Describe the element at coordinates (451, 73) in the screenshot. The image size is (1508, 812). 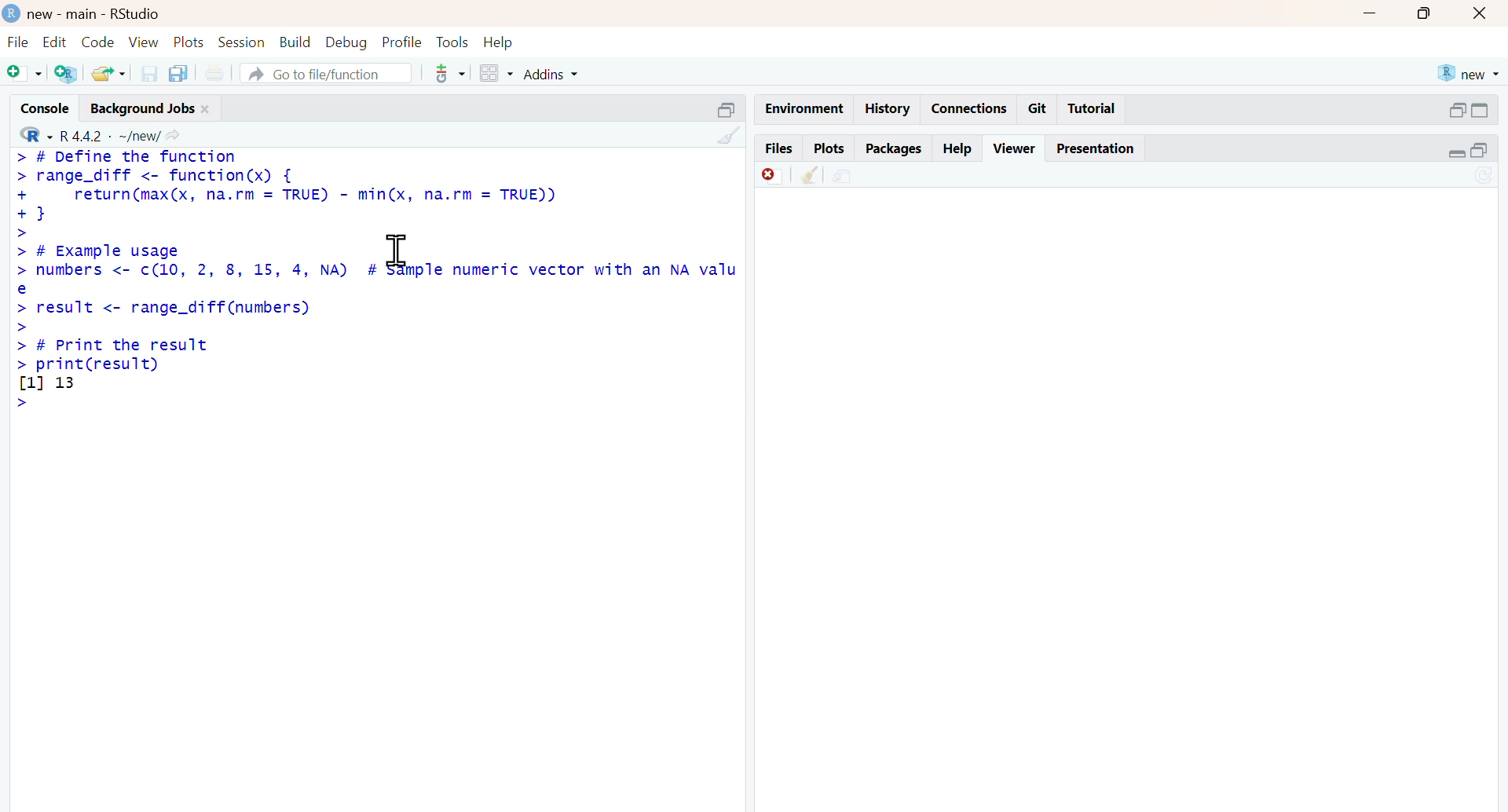
I see `tools` at that location.